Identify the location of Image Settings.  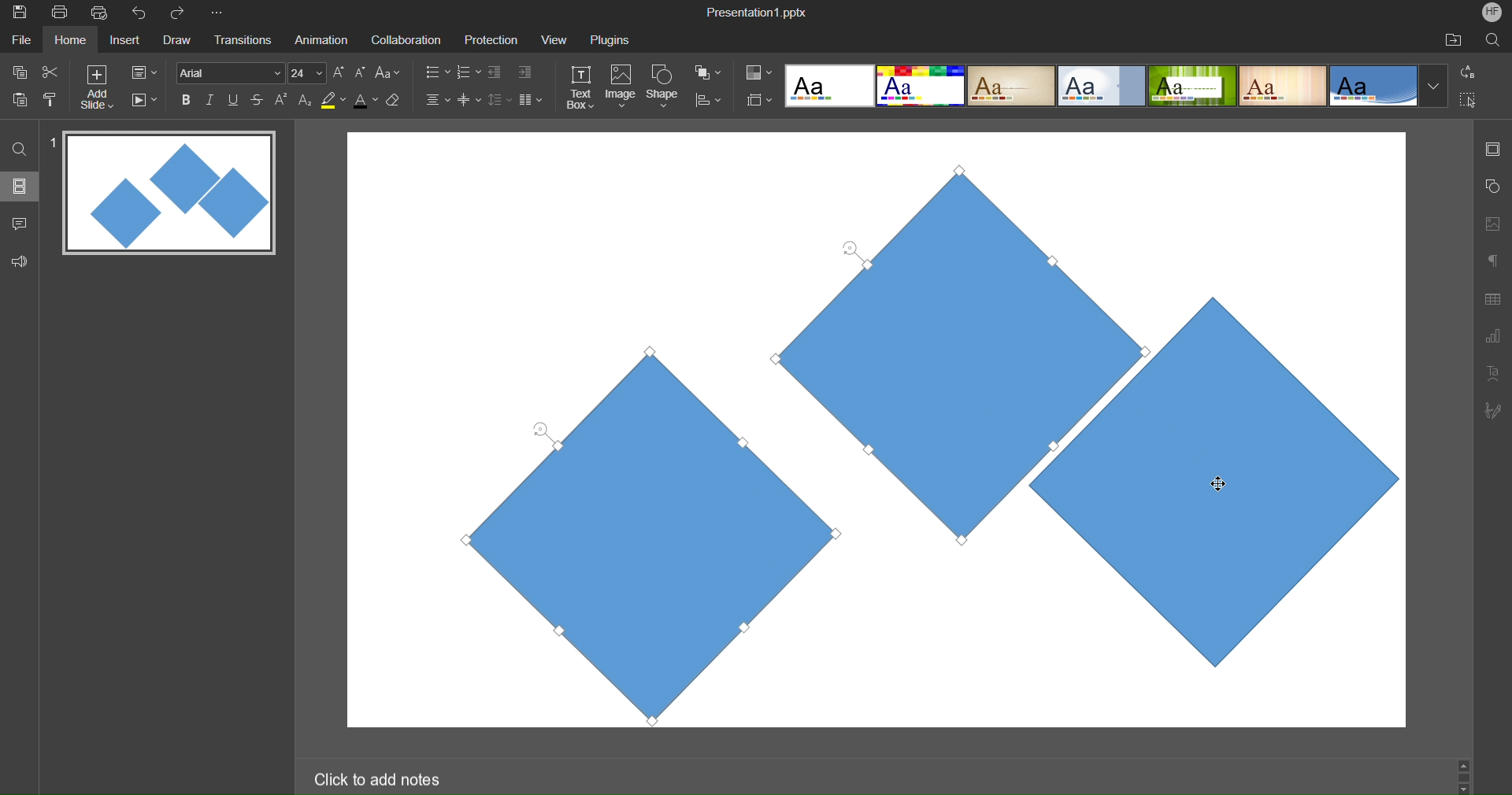
(1490, 224).